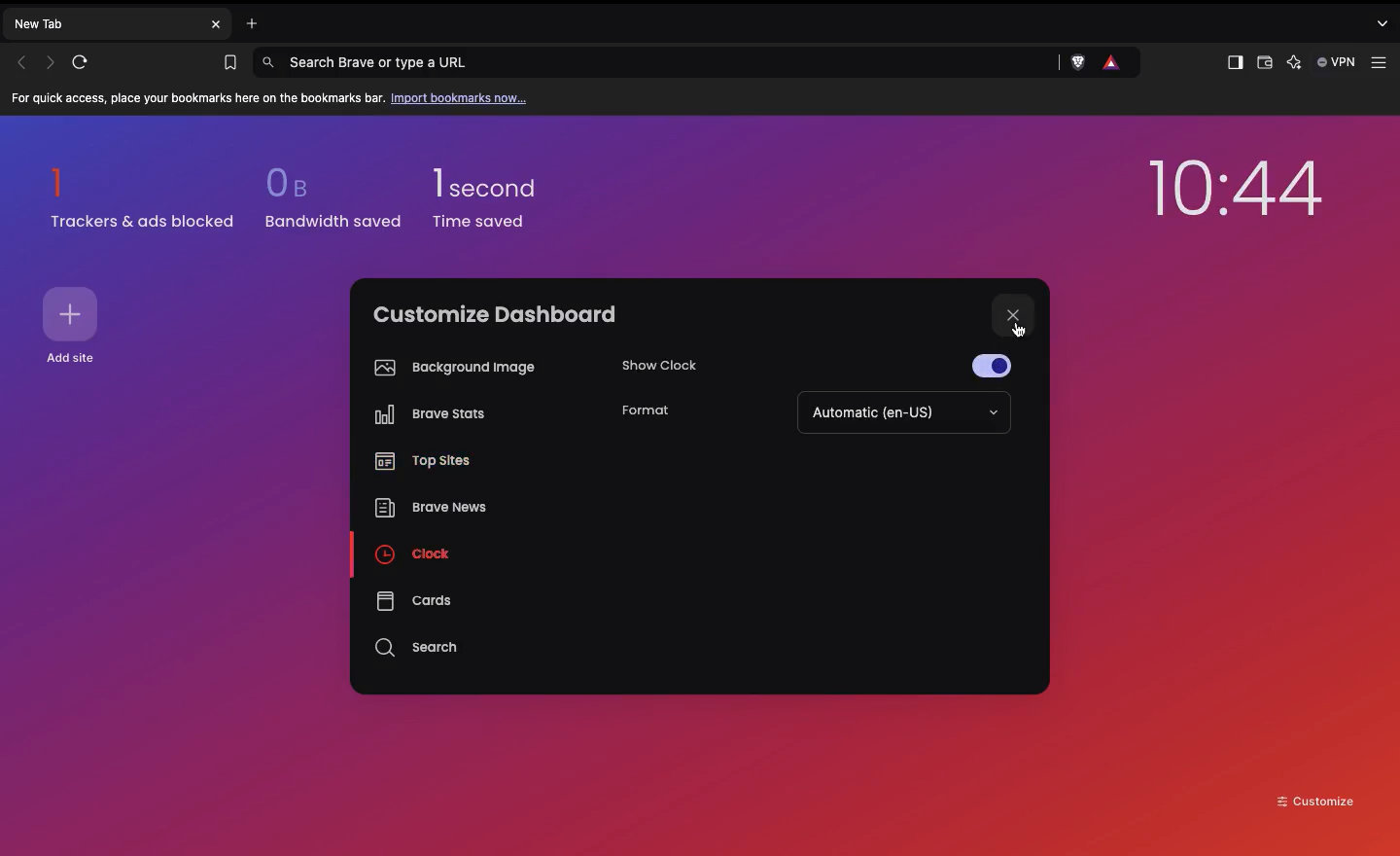  What do you see at coordinates (1385, 22) in the screenshot?
I see `Search tabs` at bounding box center [1385, 22].